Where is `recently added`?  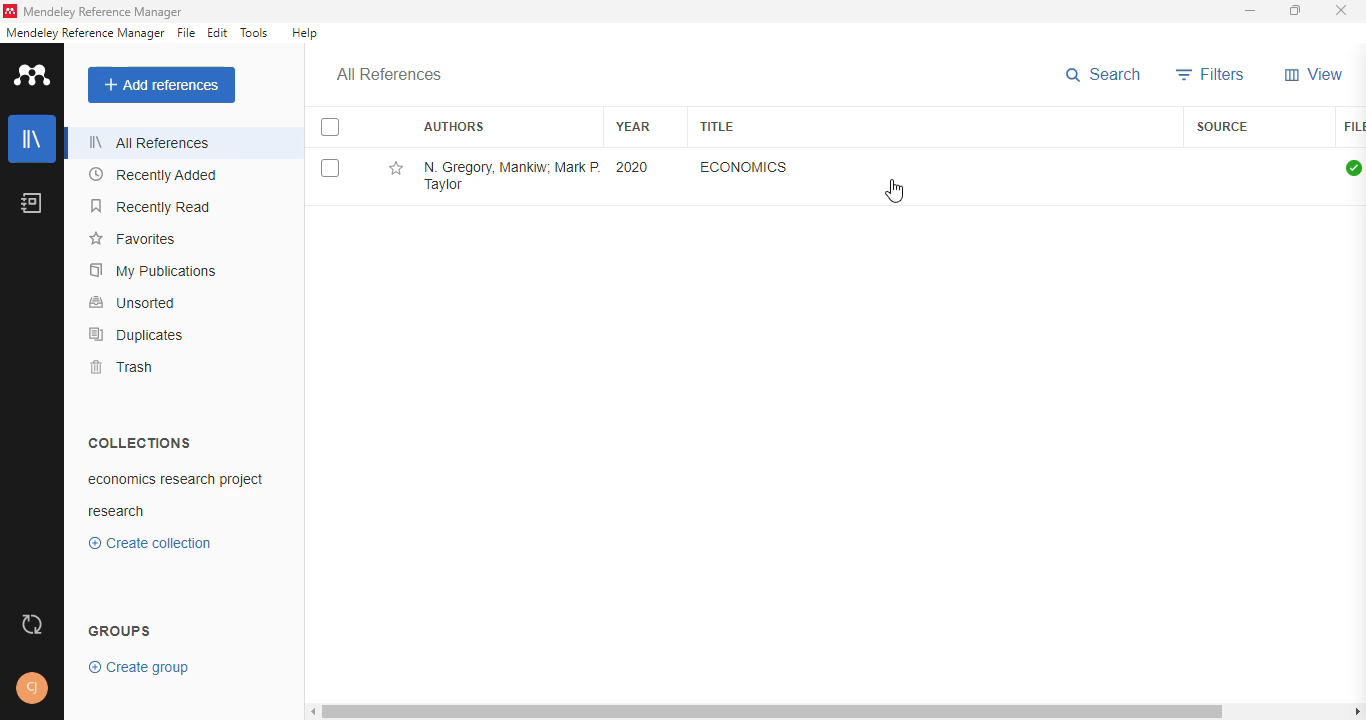 recently added is located at coordinates (153, 173).